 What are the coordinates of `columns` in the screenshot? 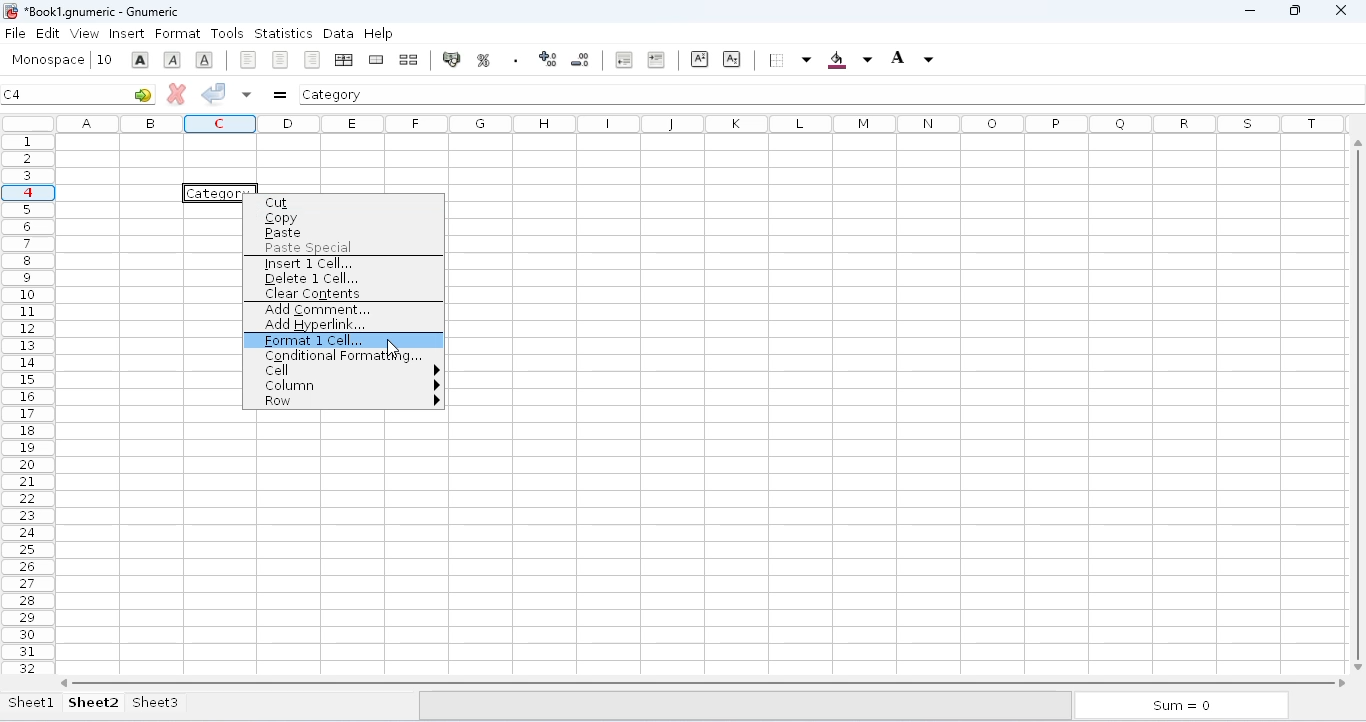 It's located at (705, 123).